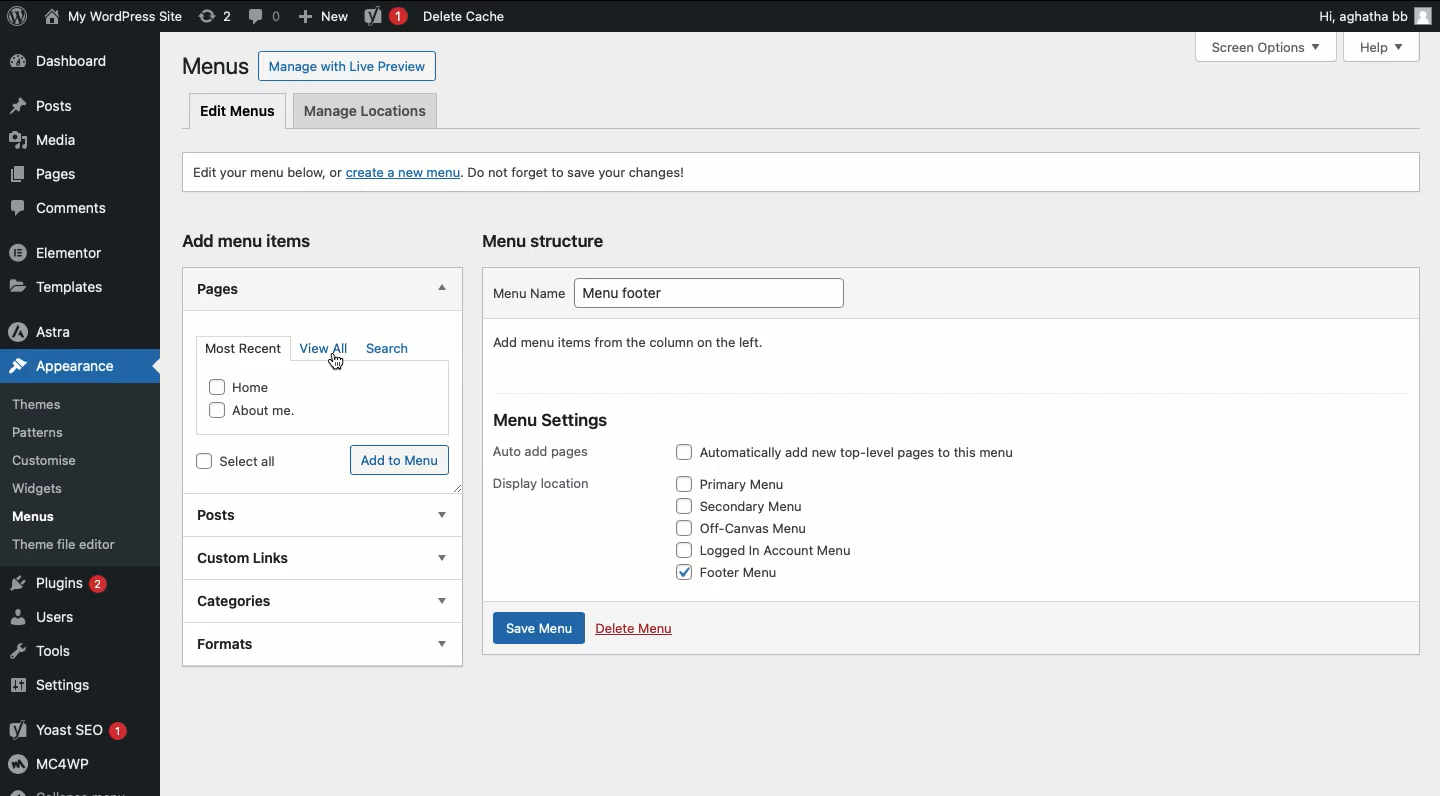 The width and height of the screenshot is (1440, 796). What do you see at coordinates (74, 107) in the screenshot?
I see `Posts` at bounding box center [74, 107].